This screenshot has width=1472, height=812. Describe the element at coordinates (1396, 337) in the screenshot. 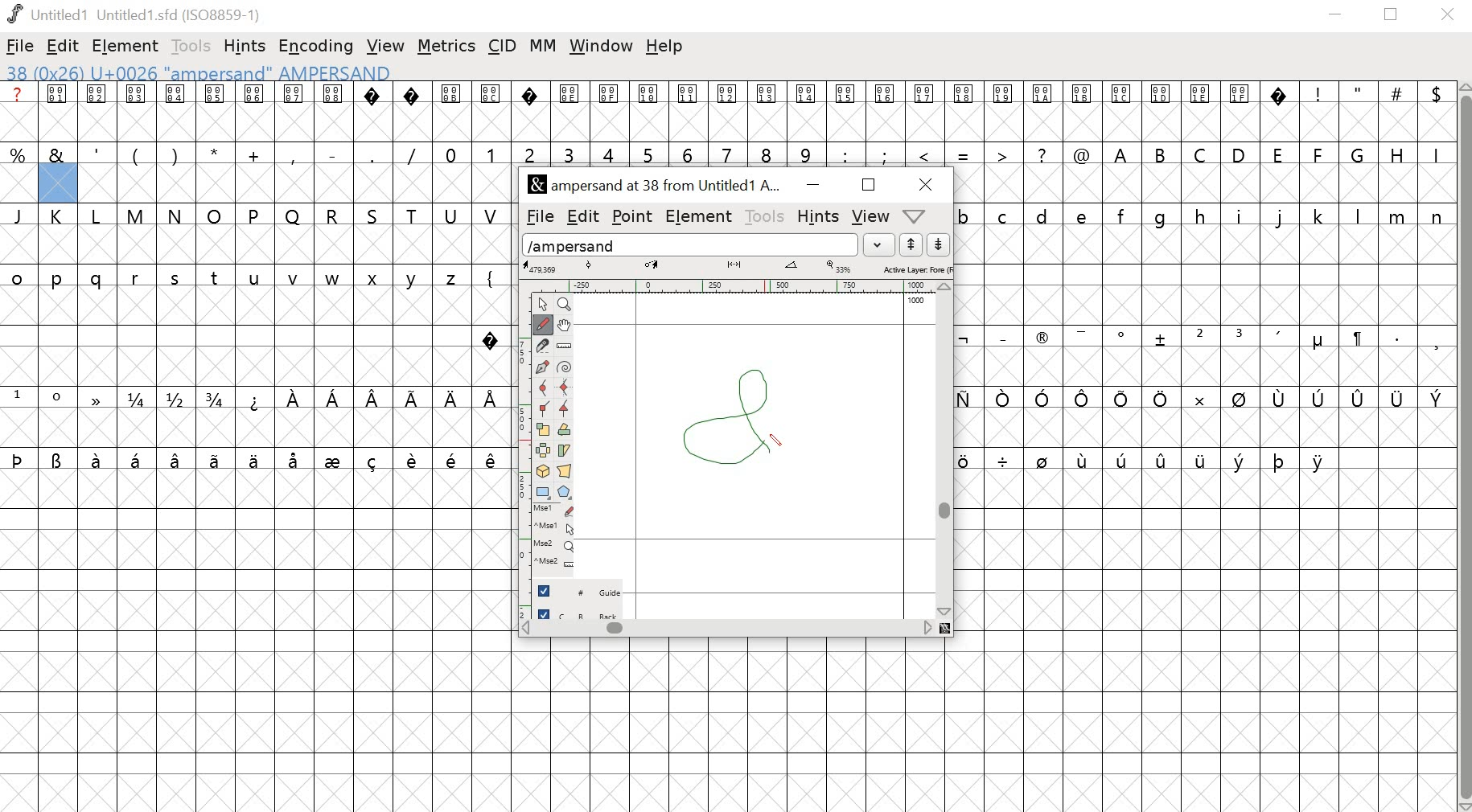

I see `.` at that location.